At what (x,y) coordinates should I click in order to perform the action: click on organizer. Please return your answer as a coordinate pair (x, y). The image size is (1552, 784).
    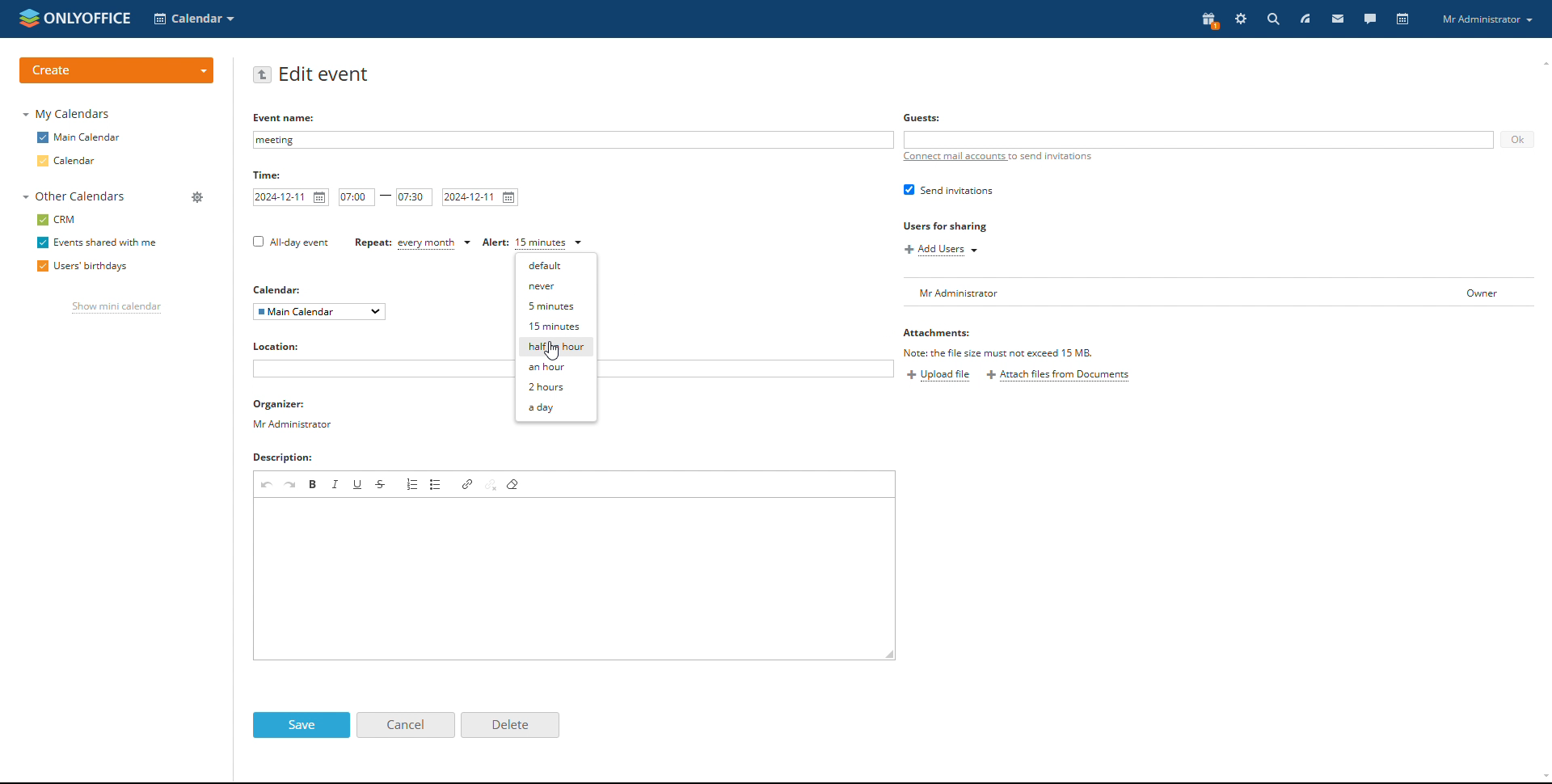
    Looking at the image, I should click on (292, 415).